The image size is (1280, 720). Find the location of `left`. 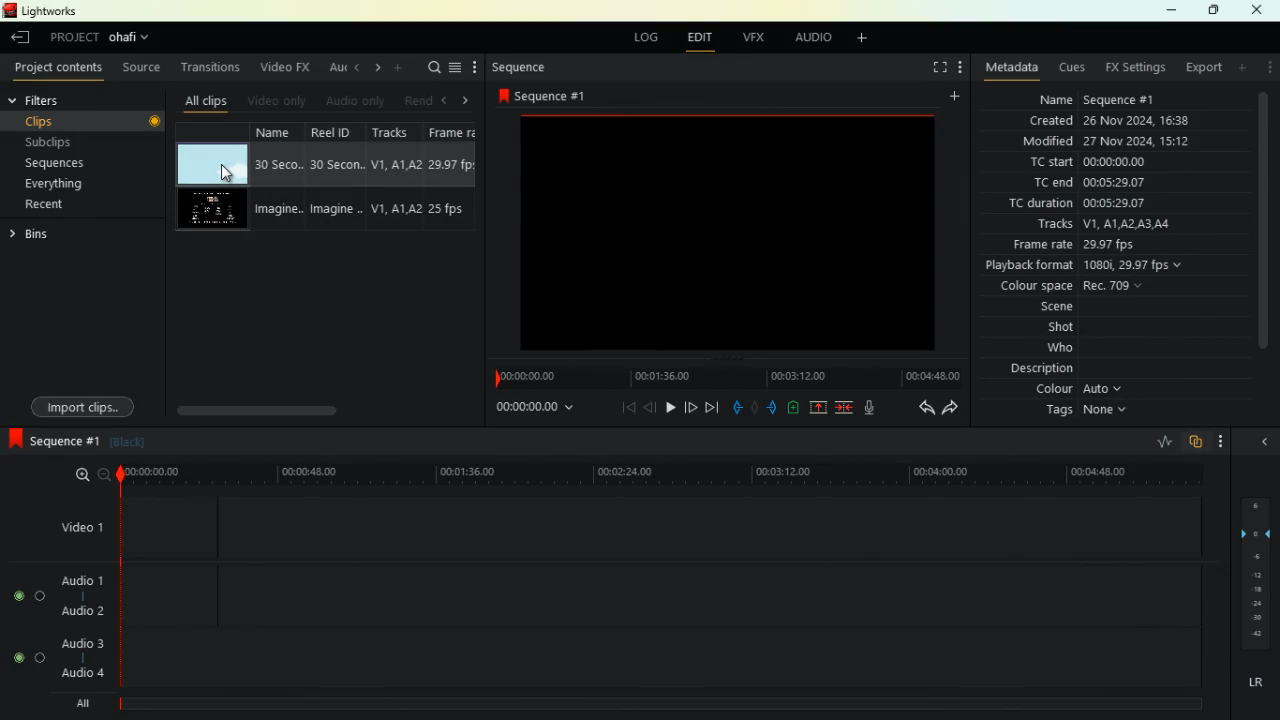

left is located at coordinates (445, 100).